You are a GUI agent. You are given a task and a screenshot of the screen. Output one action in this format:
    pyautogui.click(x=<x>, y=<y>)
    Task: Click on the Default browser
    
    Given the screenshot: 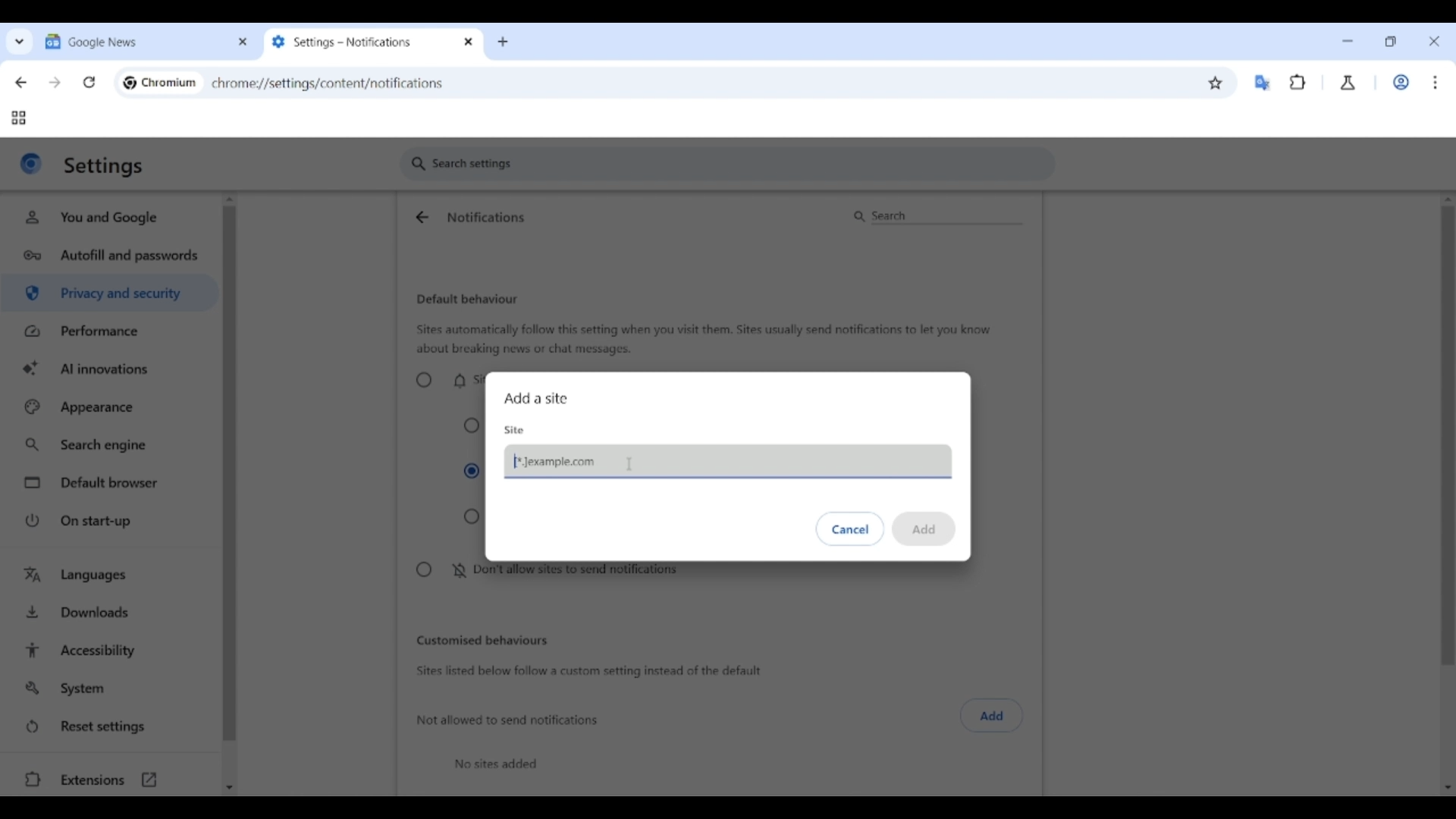 What is the action you would take?
    pyautogui.click(x=112, y=483)
    